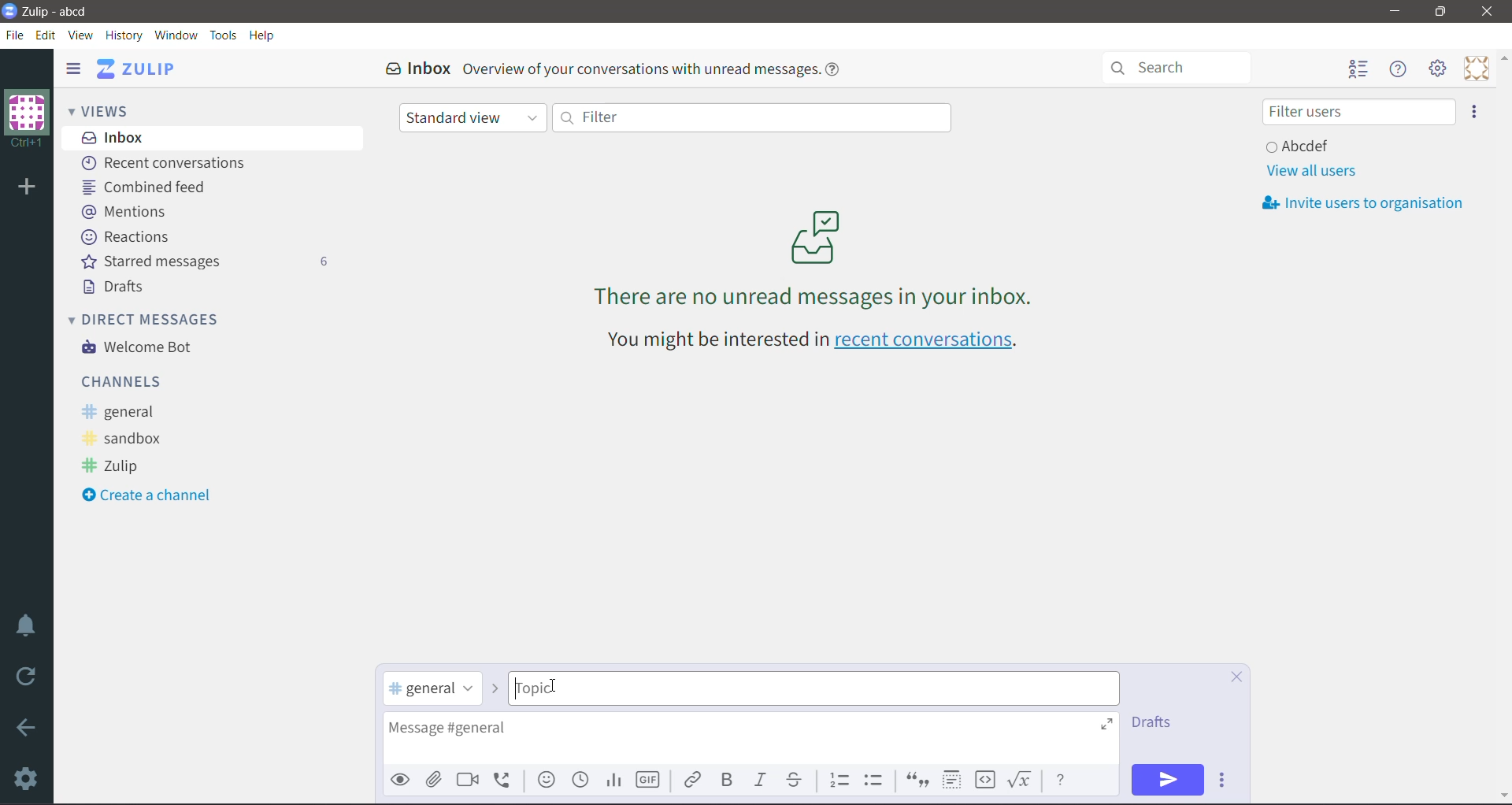  What do you see at coordinates (750, 117) in the screenshot?
I see `Filter` at bounding box center [750, 117].